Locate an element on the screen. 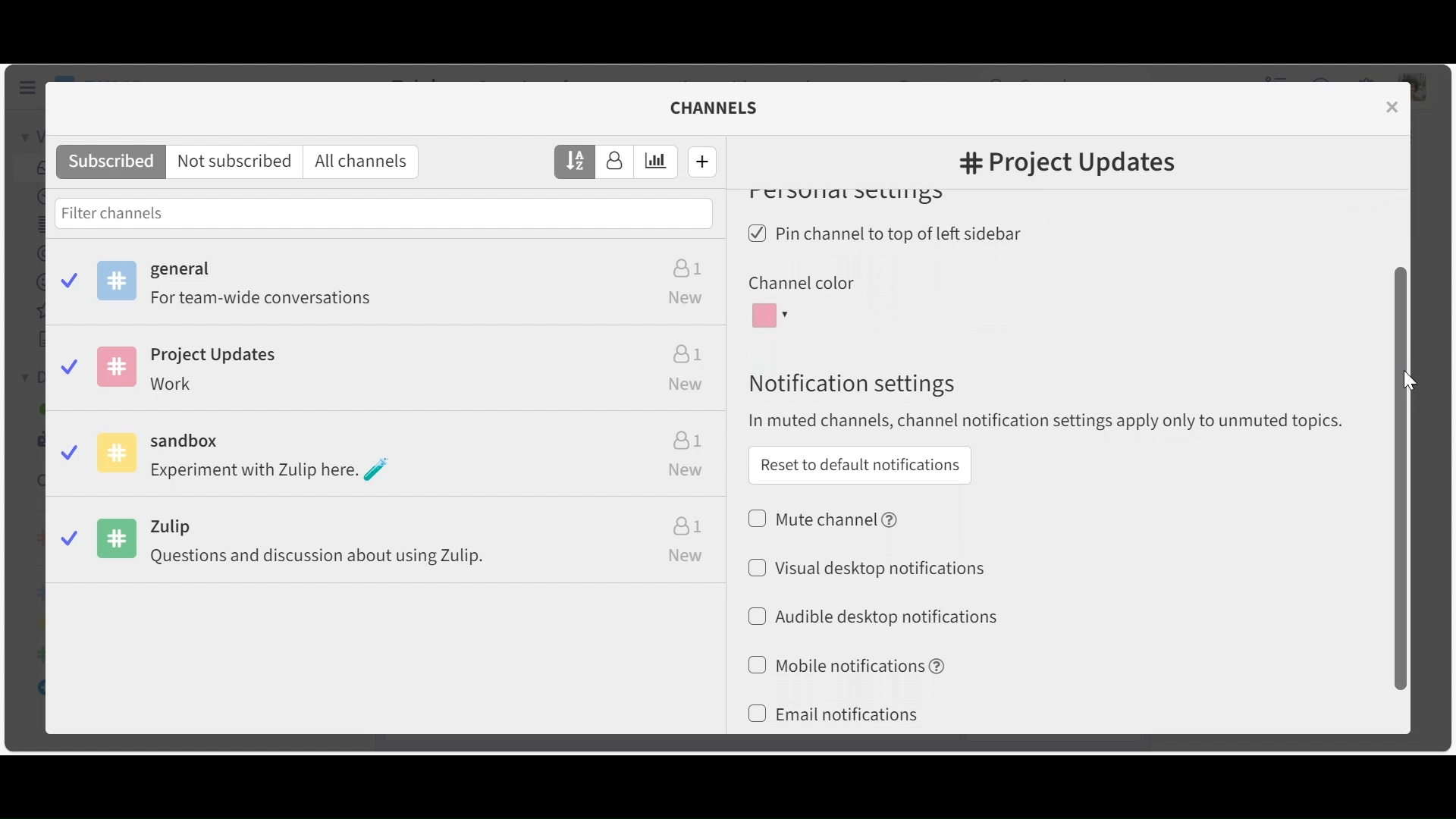  Sandbox is located at coordinates (388, 458).